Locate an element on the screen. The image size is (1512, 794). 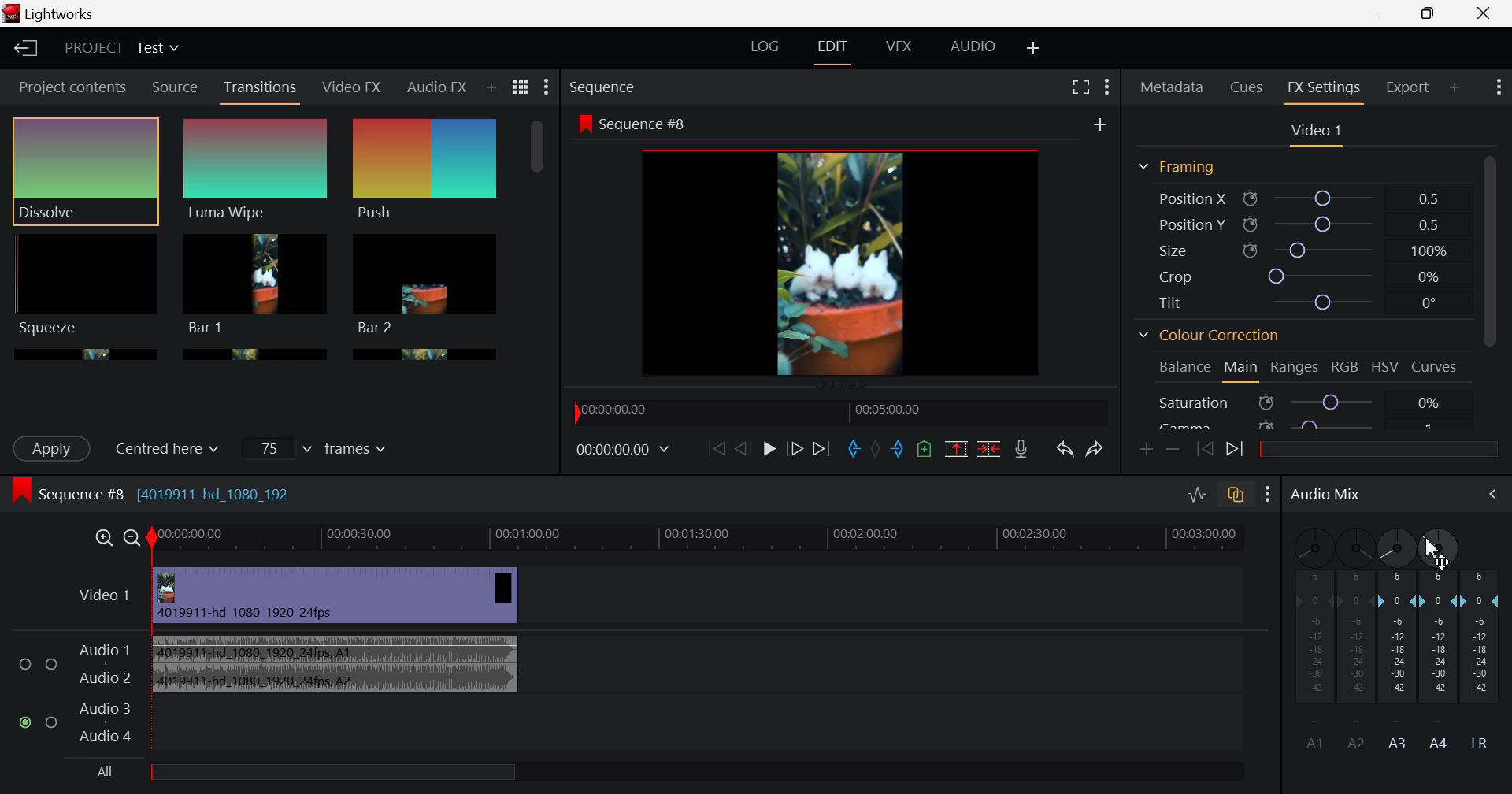
EDIT Layout Open is located at coordinates (831, 50).